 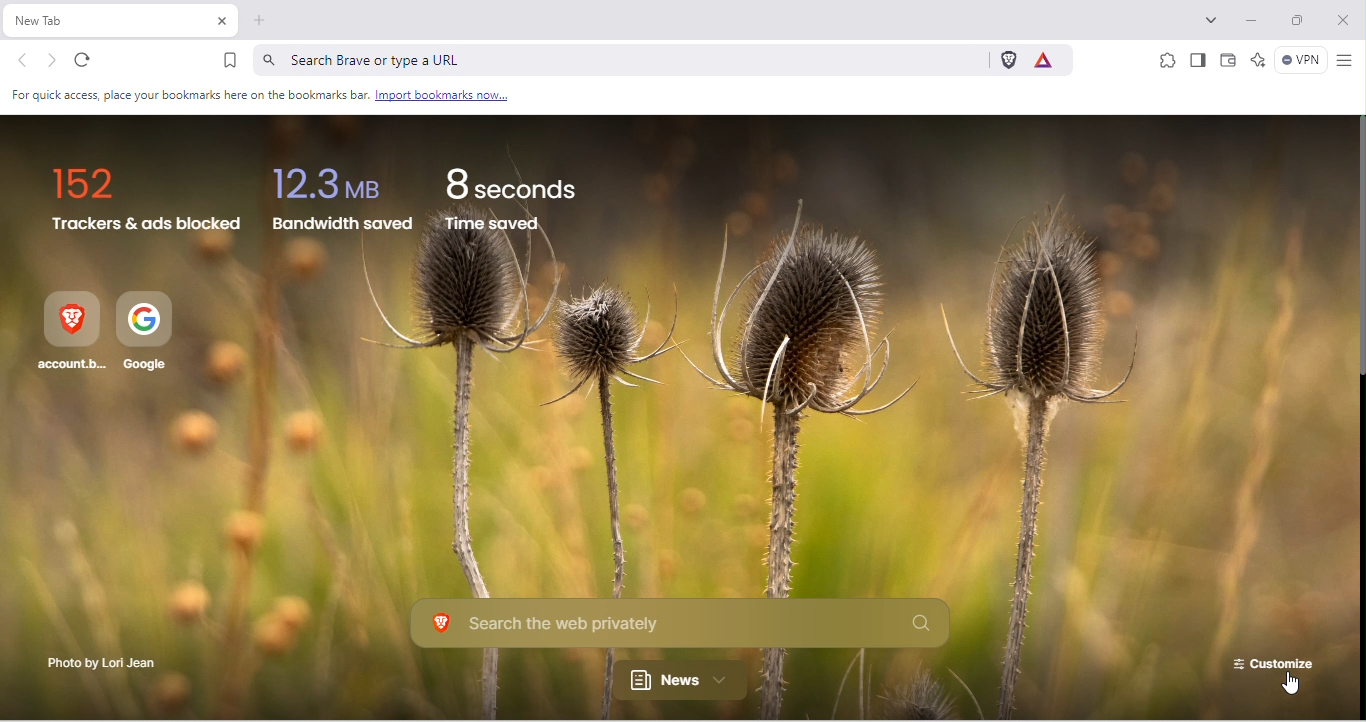 What do you see at coordinates (1257, 61) in the screenshot?
I see `Leo AI` at bounding box center [1257, 61].